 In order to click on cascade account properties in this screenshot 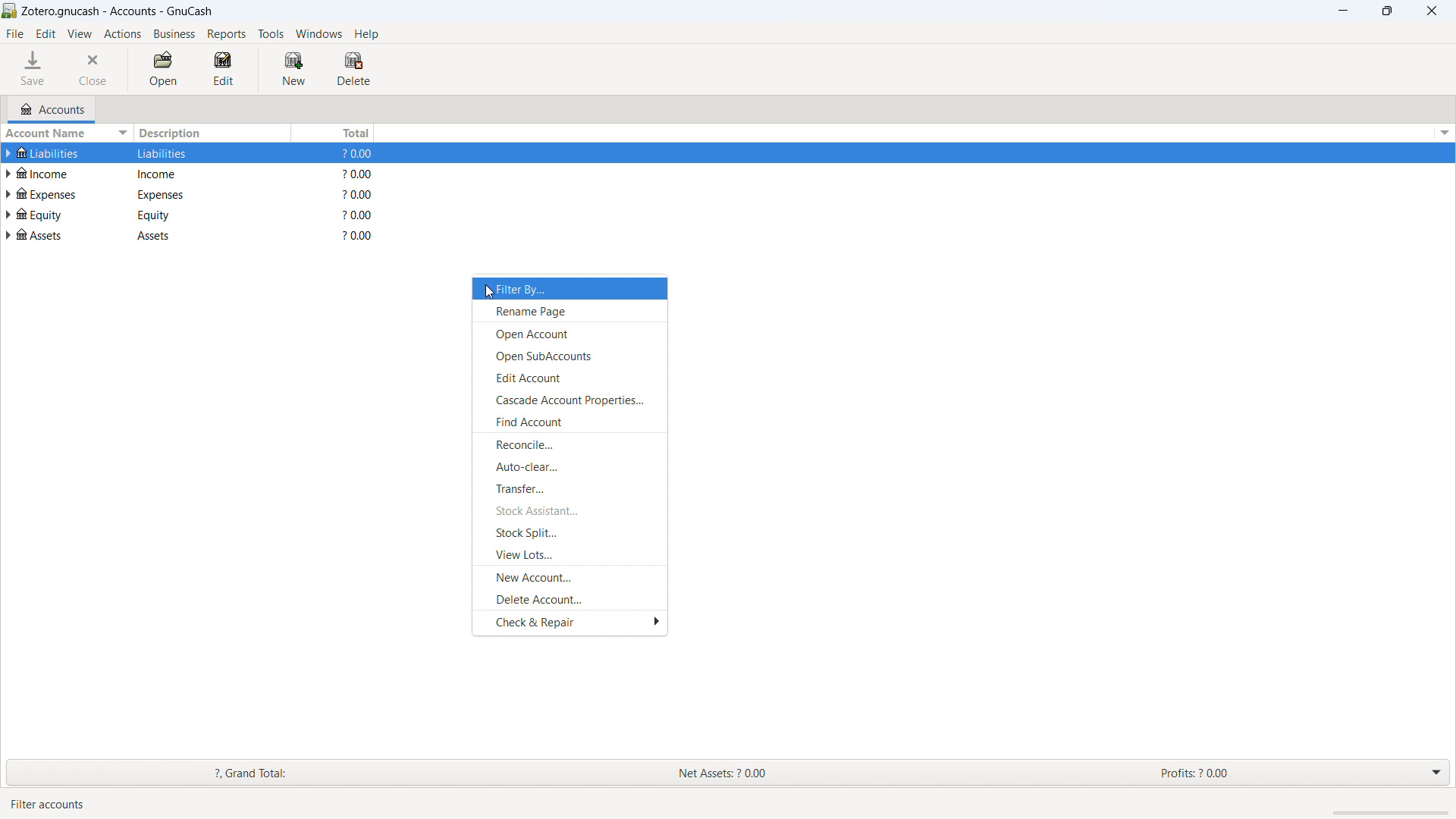, I will do `click(568, 400)`.